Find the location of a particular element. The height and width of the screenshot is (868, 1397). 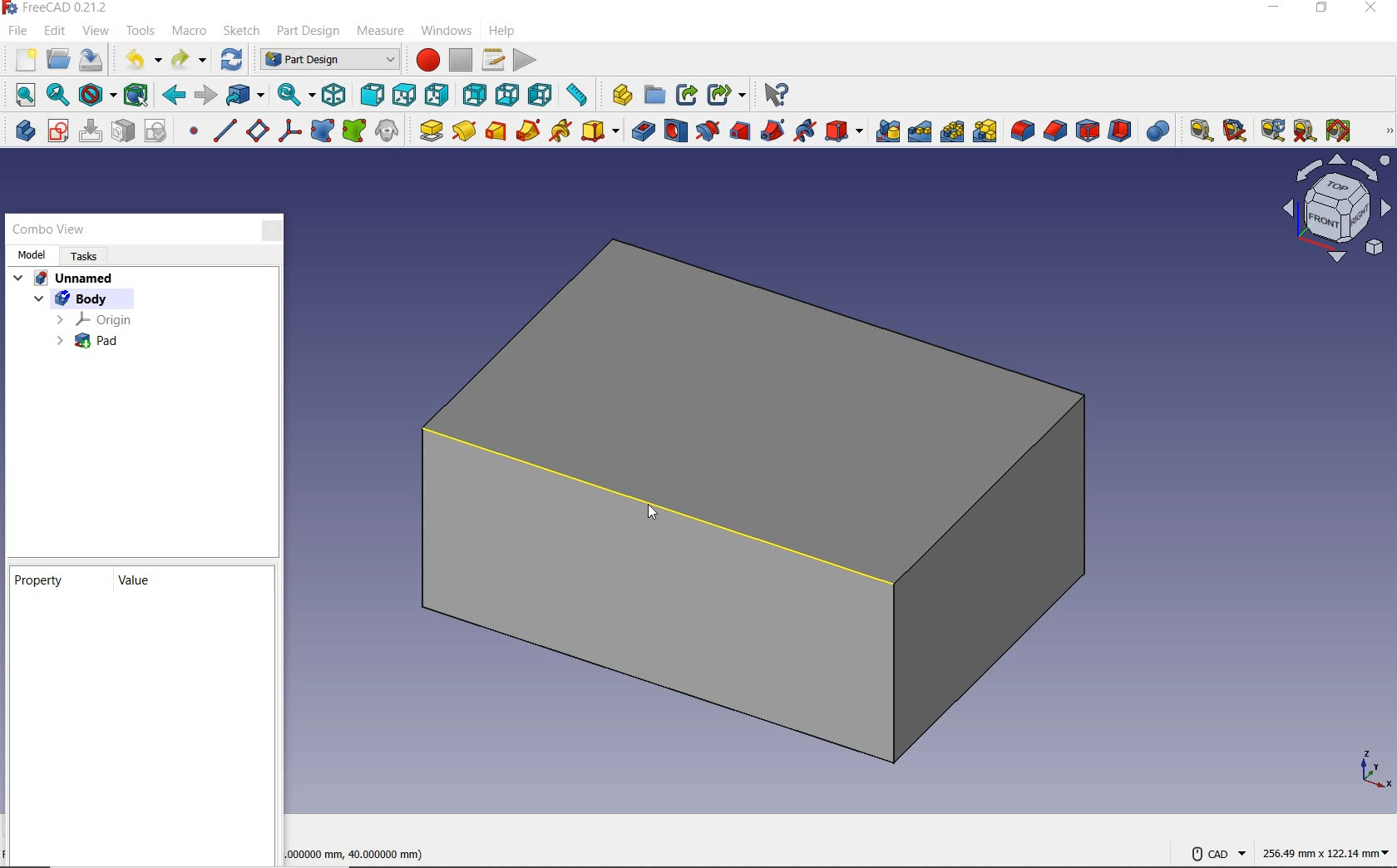

sync view is located at coordinates (295, 94).